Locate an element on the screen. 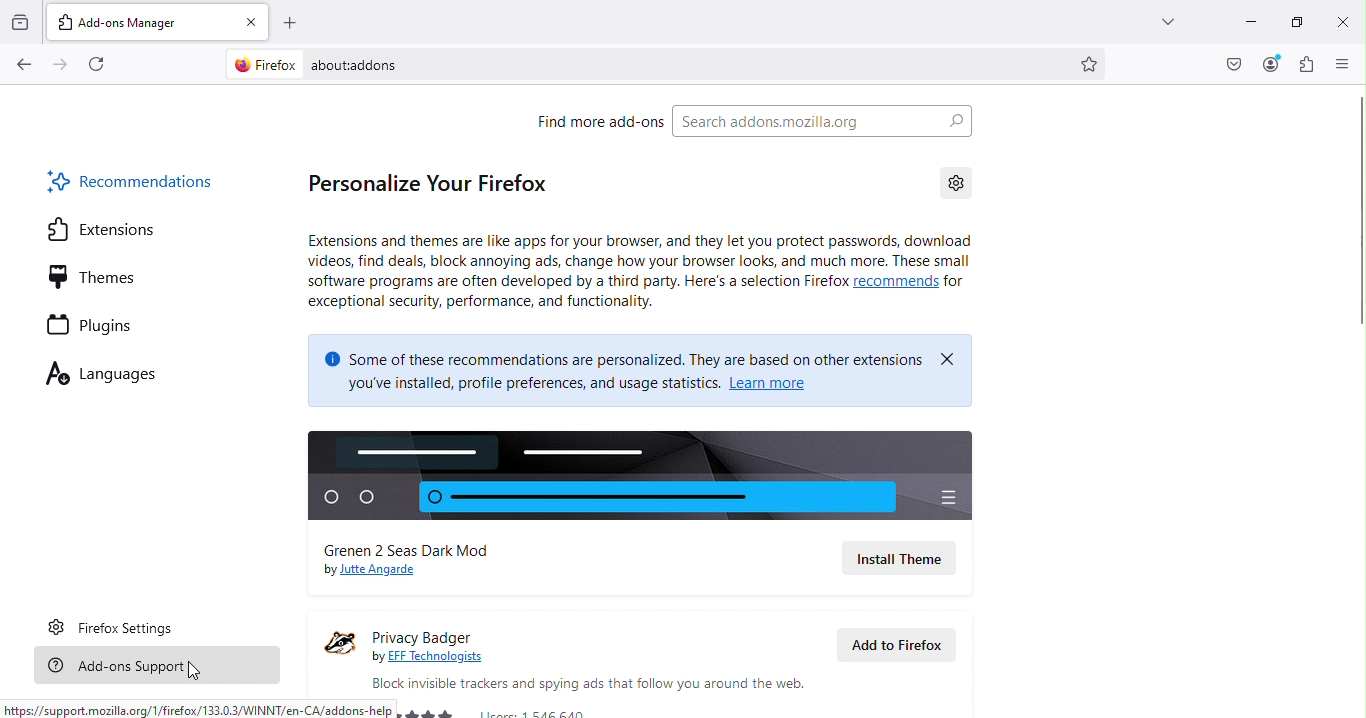  Extensions is located at coordinates (104, 228).